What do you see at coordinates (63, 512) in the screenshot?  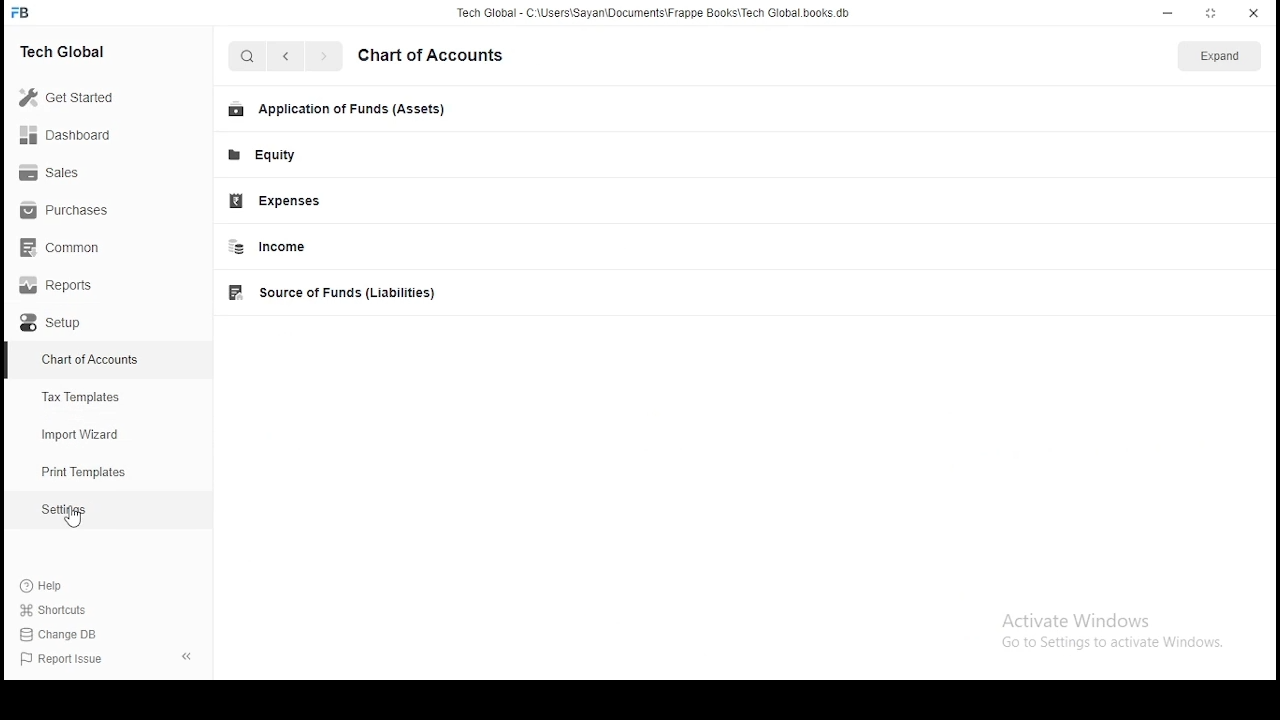 I see `Settings ` at bounding box center [63, 512].